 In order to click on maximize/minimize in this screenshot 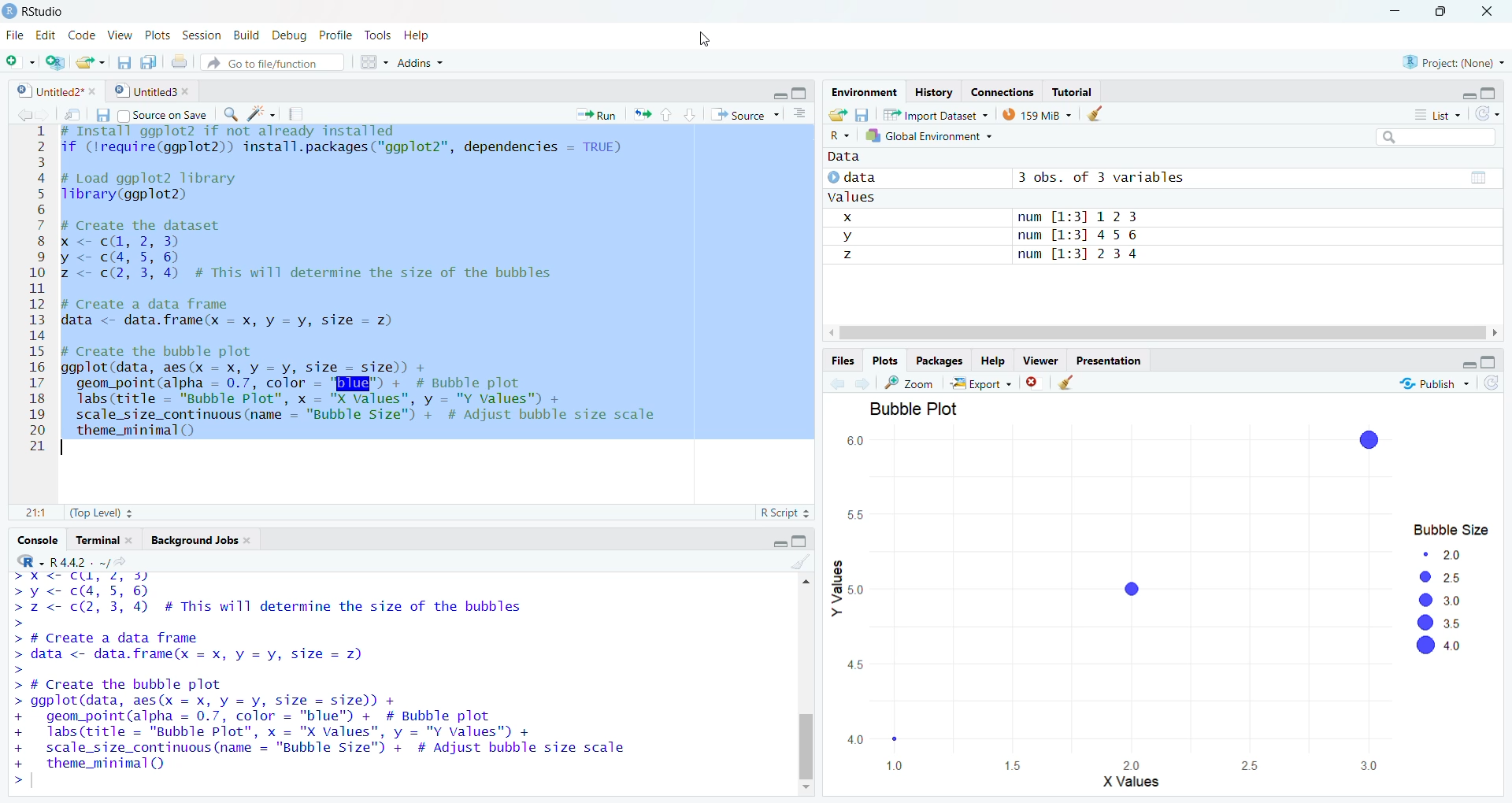, I will do `click(1475, 90)`.